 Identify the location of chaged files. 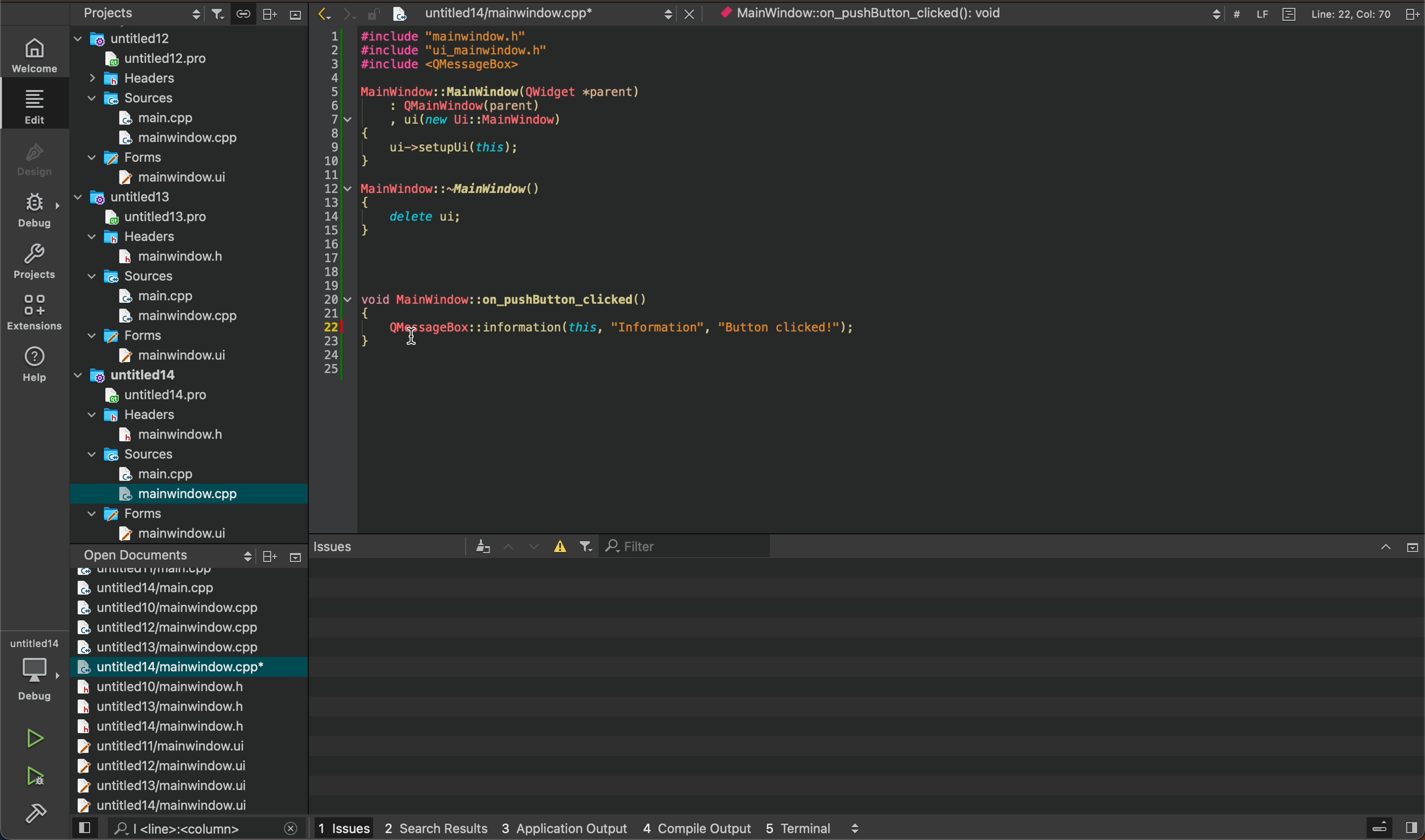
(188, 691).